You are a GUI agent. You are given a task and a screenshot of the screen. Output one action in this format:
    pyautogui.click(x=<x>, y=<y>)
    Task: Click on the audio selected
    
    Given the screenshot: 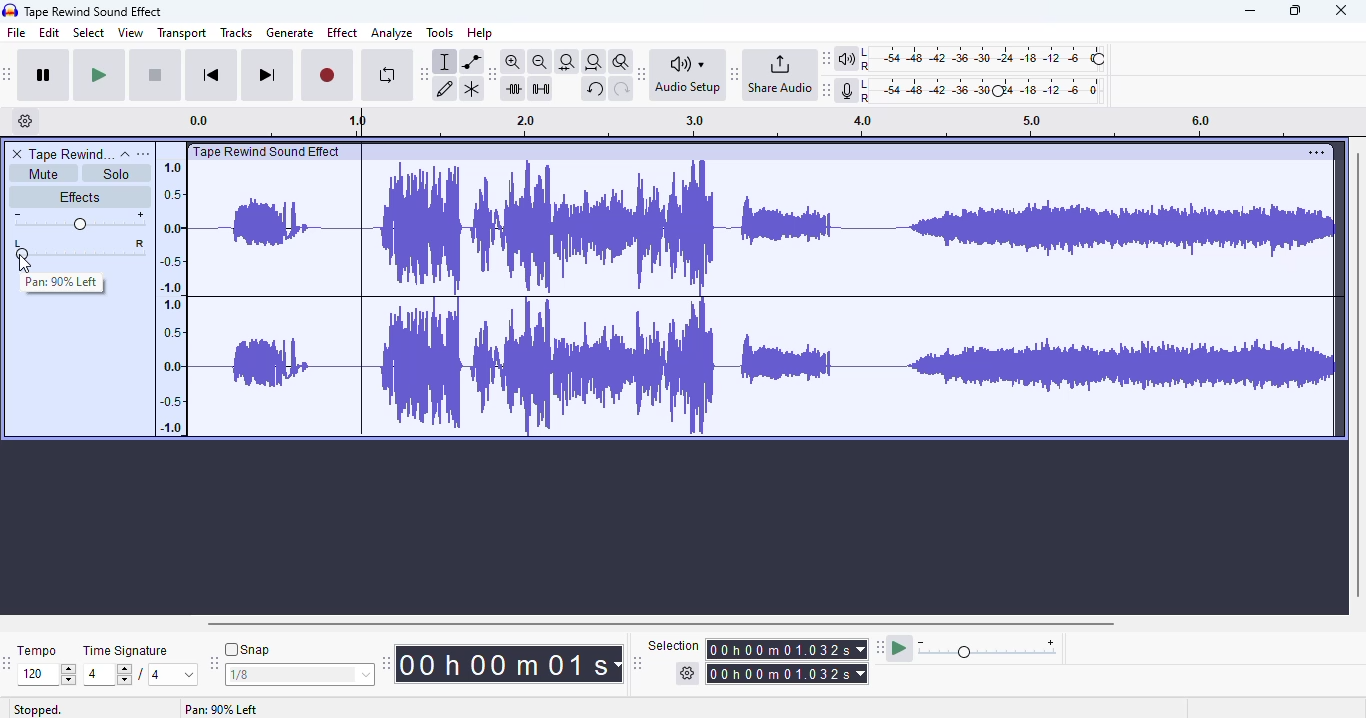 What is the action you would take?
    pyautogui.click(x=766, y=300)
    